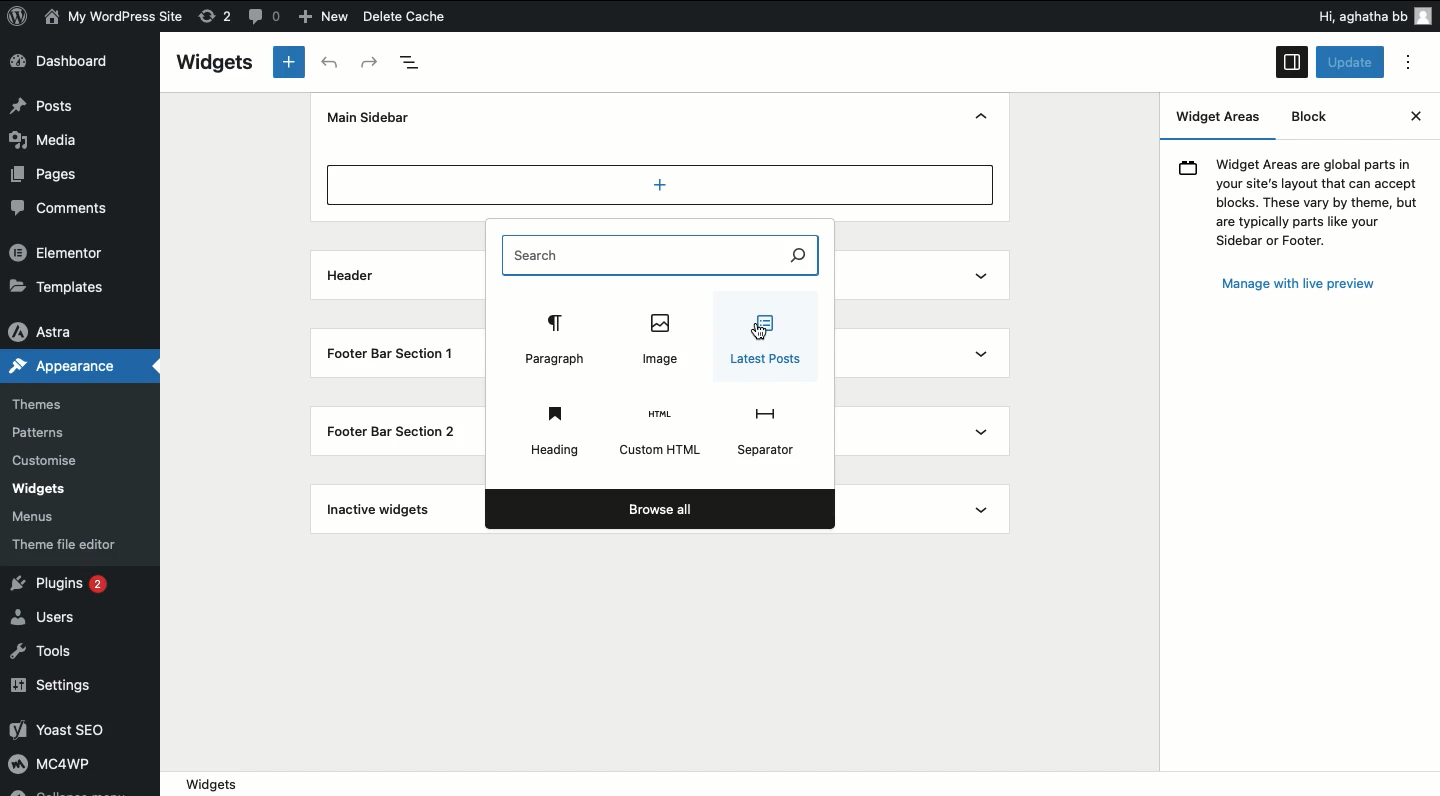 The image size is (1440, 796). Describe the element at coordinates (1300, 202) in the screenshot. I see `(5 Widget Areas are global parts in
your site's layout that can accept
blocks. These vary by theme, but
are typically parts like your
Sidebar or Footer.` at that location.